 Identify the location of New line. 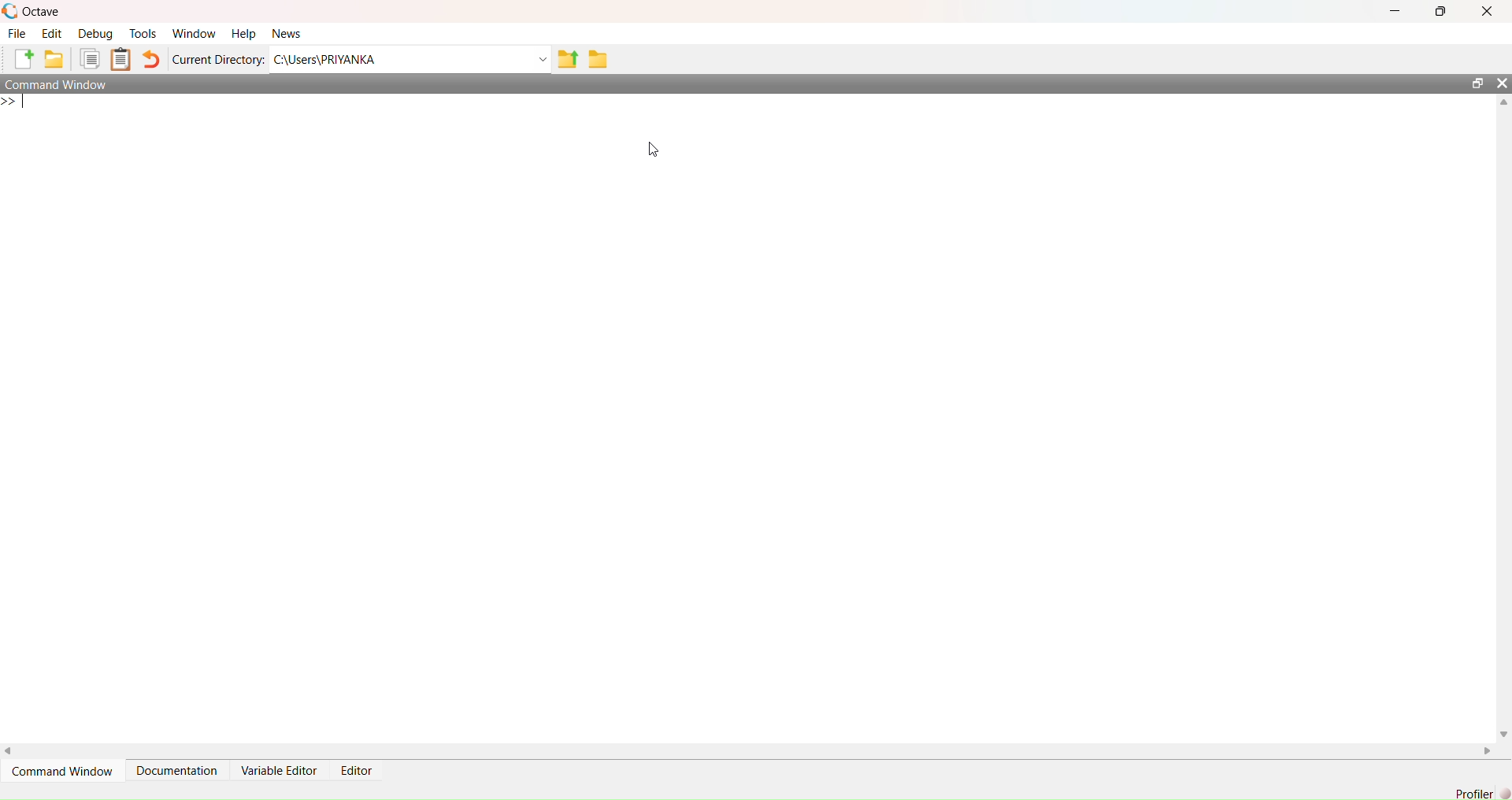
(13, 102).